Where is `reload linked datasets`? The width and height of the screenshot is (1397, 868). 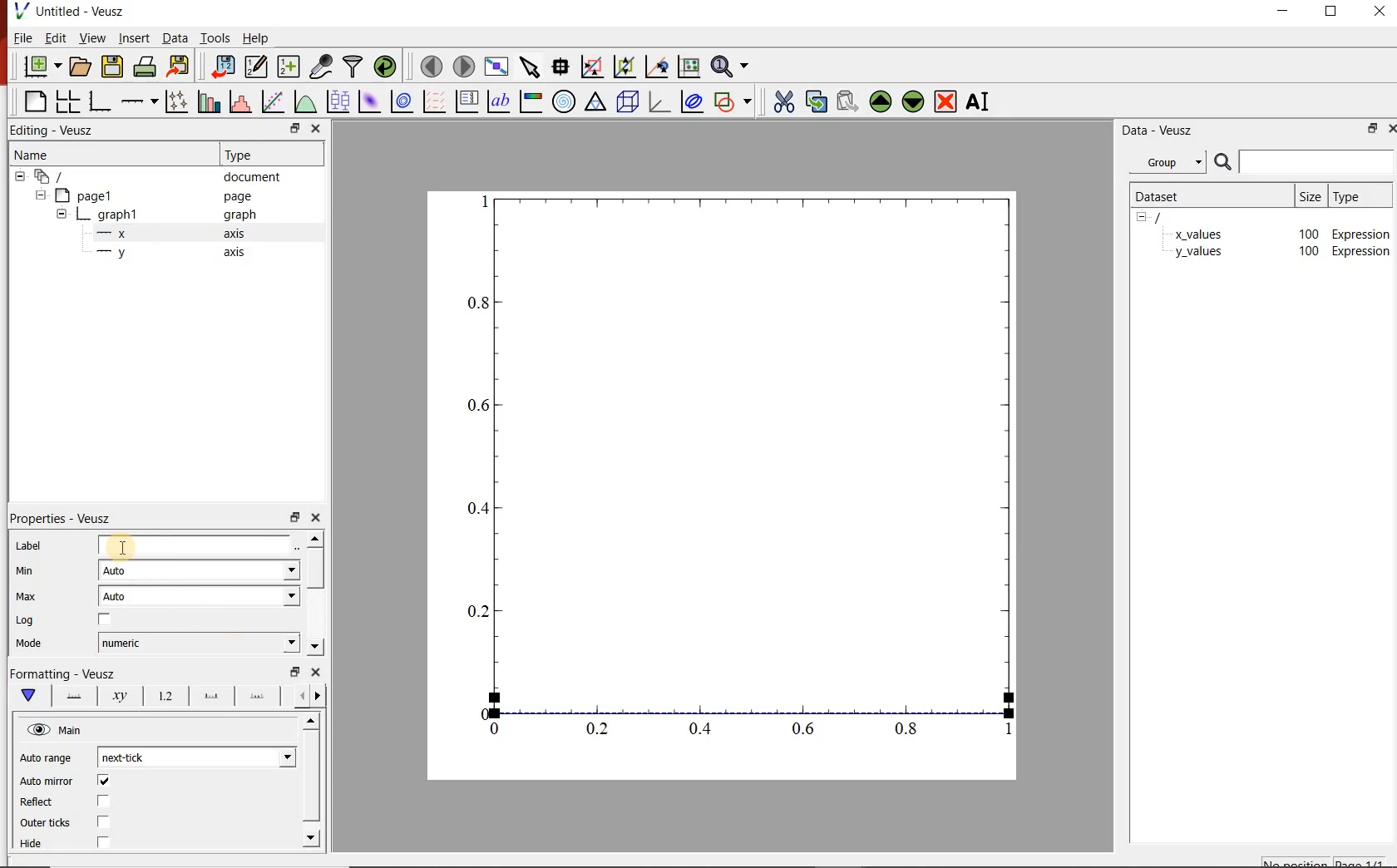 reload linked datasets is located at coordinates (383, 67).